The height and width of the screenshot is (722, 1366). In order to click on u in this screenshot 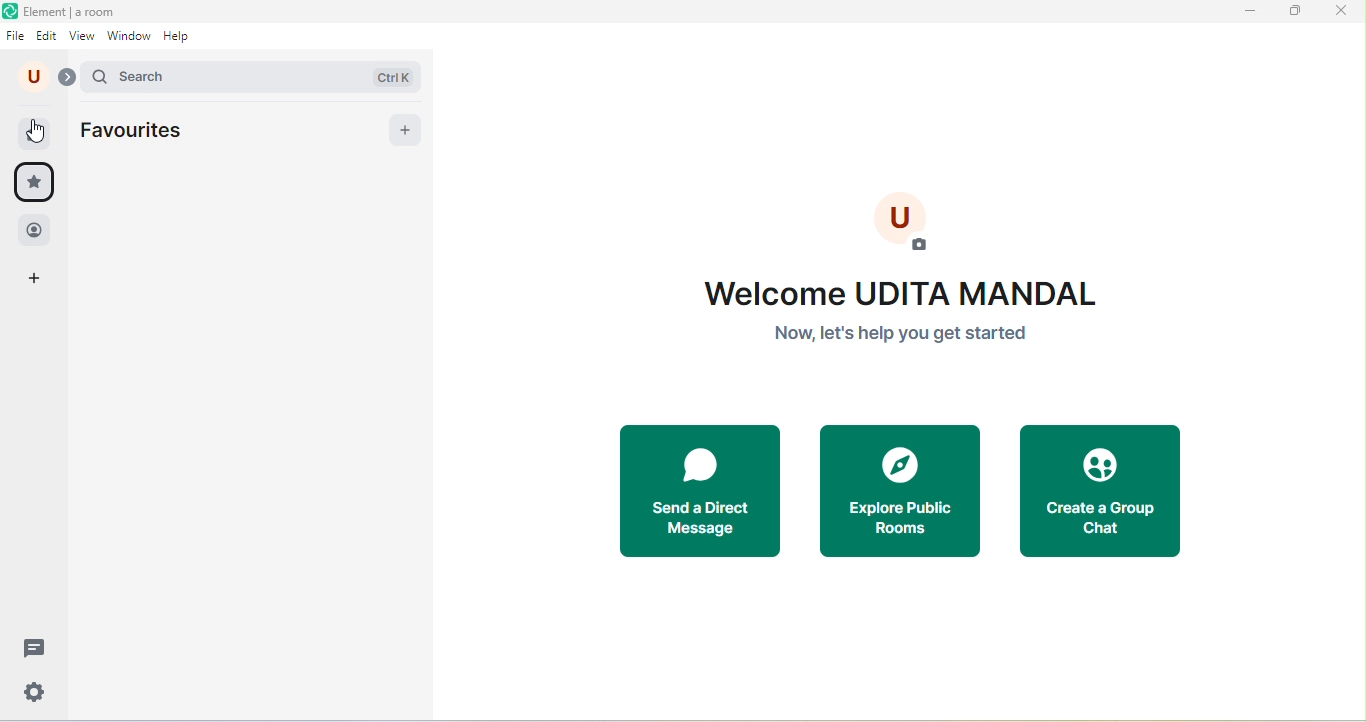, I will do `click(33, 77)`.